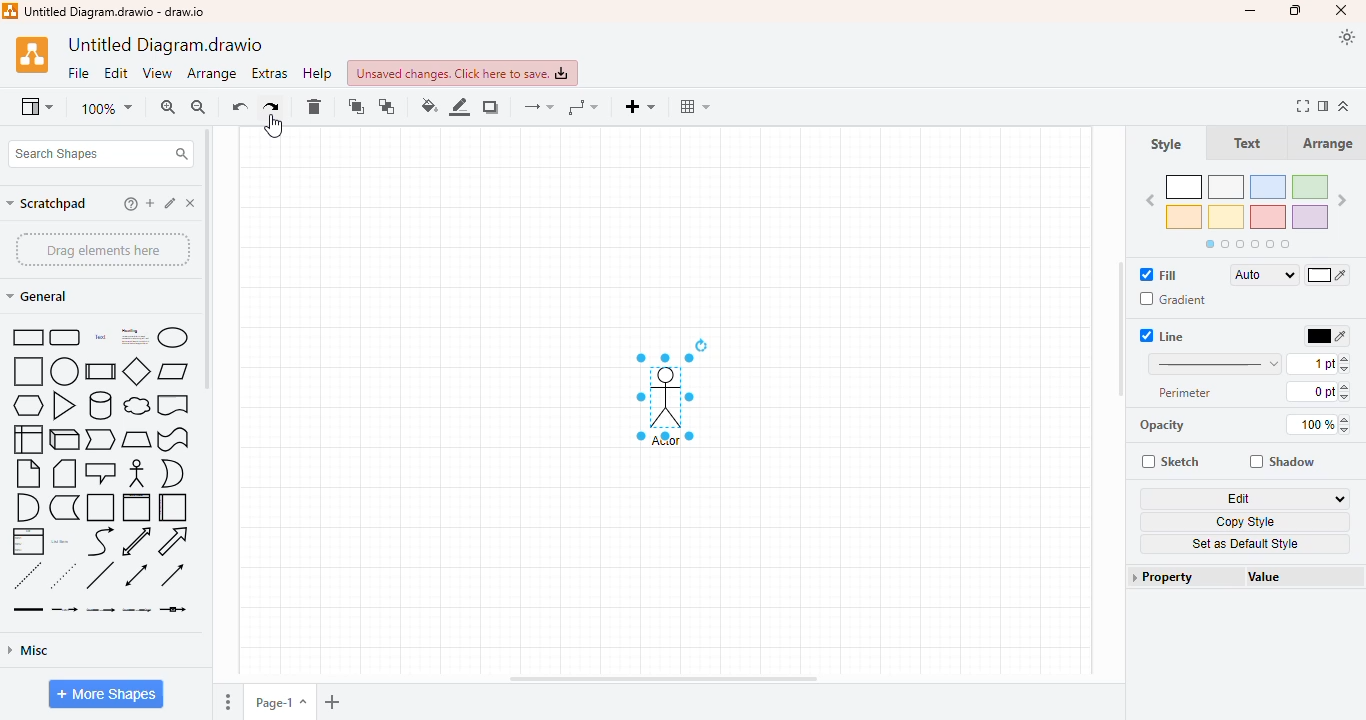 This screenshot has width=1366, height=720. I want to click on help, so click(131, 204).